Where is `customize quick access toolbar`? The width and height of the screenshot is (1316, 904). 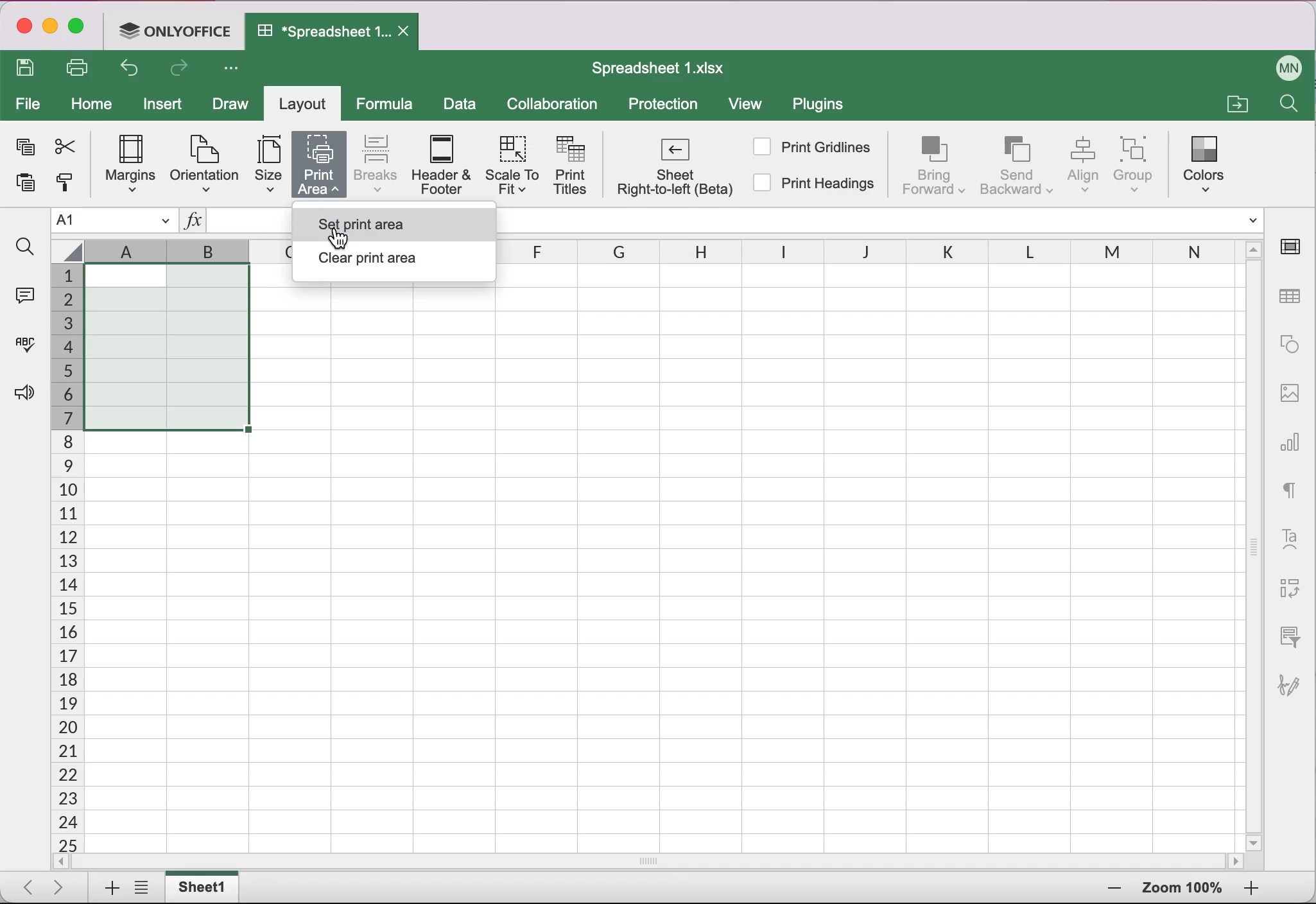
customize quick access toolbar is located at coordinates (235, 69).